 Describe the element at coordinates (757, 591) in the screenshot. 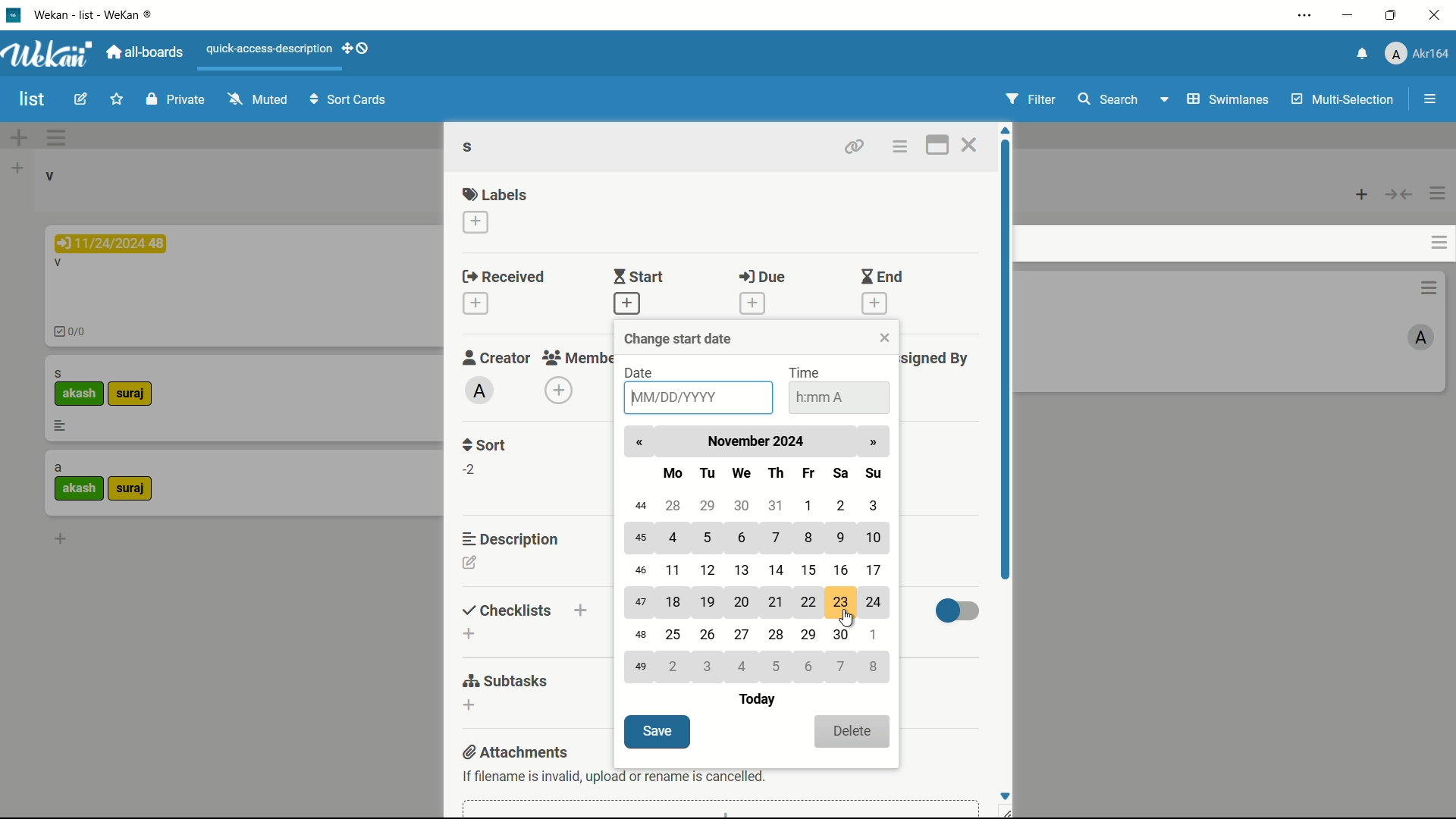

I see `dates` at that location.